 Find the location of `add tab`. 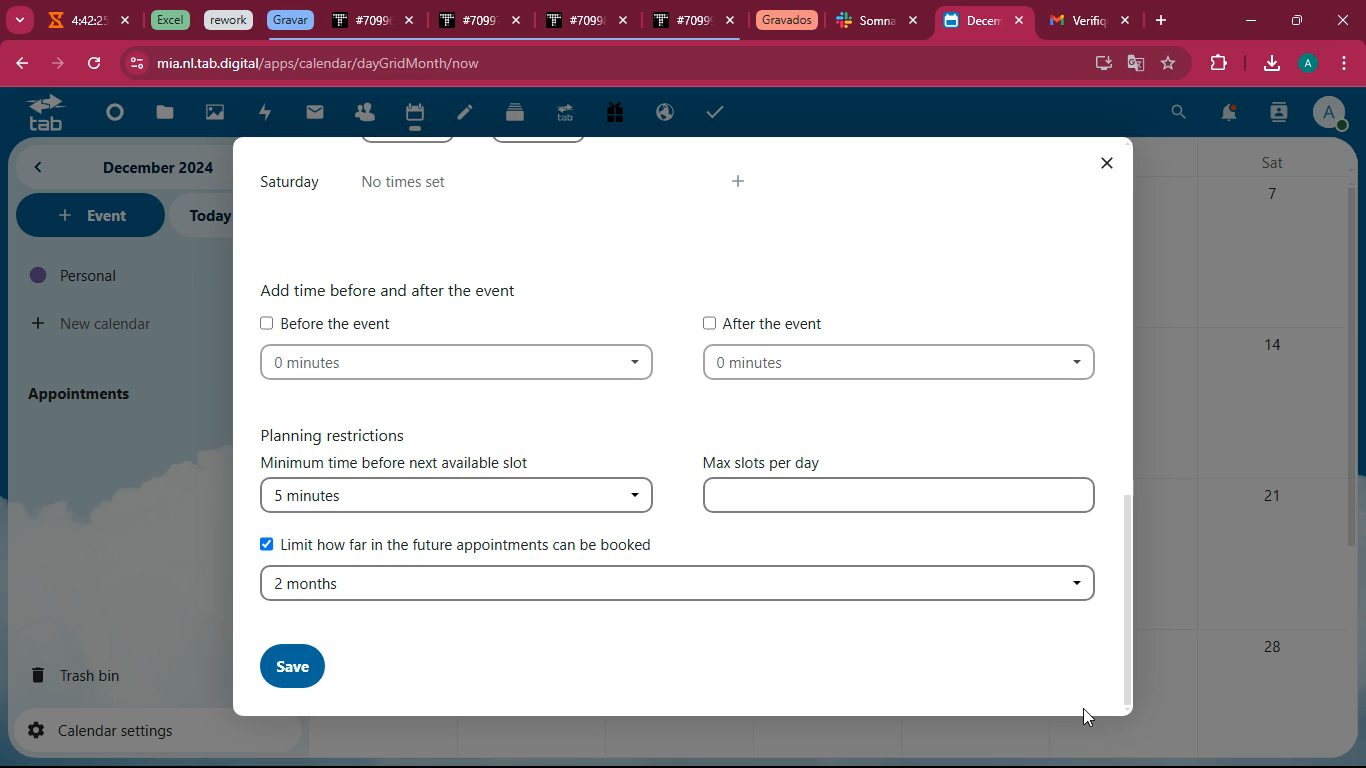

add tab is located at coordinates (1165, 21).